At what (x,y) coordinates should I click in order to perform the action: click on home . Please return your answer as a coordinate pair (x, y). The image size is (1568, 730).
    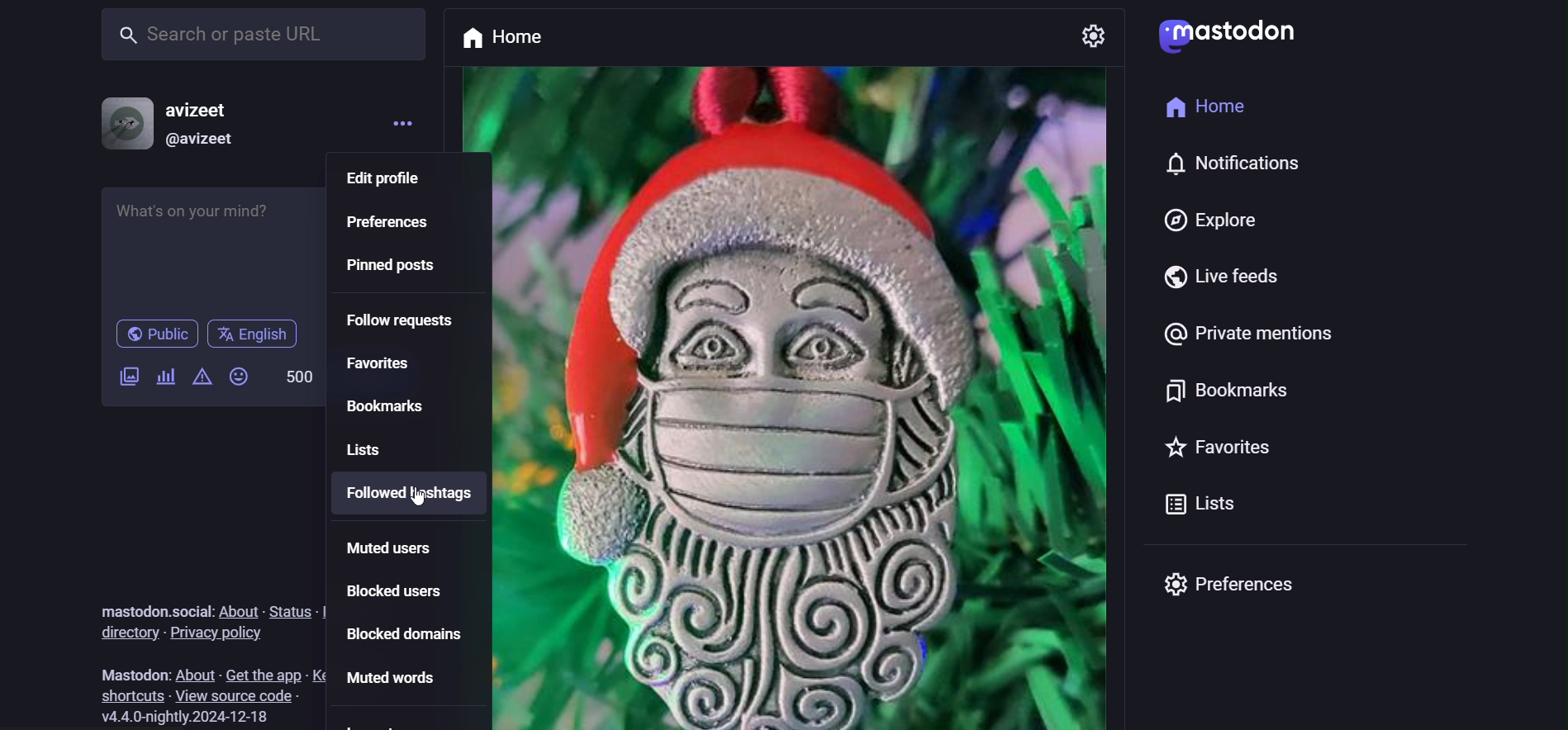
    Looking at the image, I should click on (535, 37).